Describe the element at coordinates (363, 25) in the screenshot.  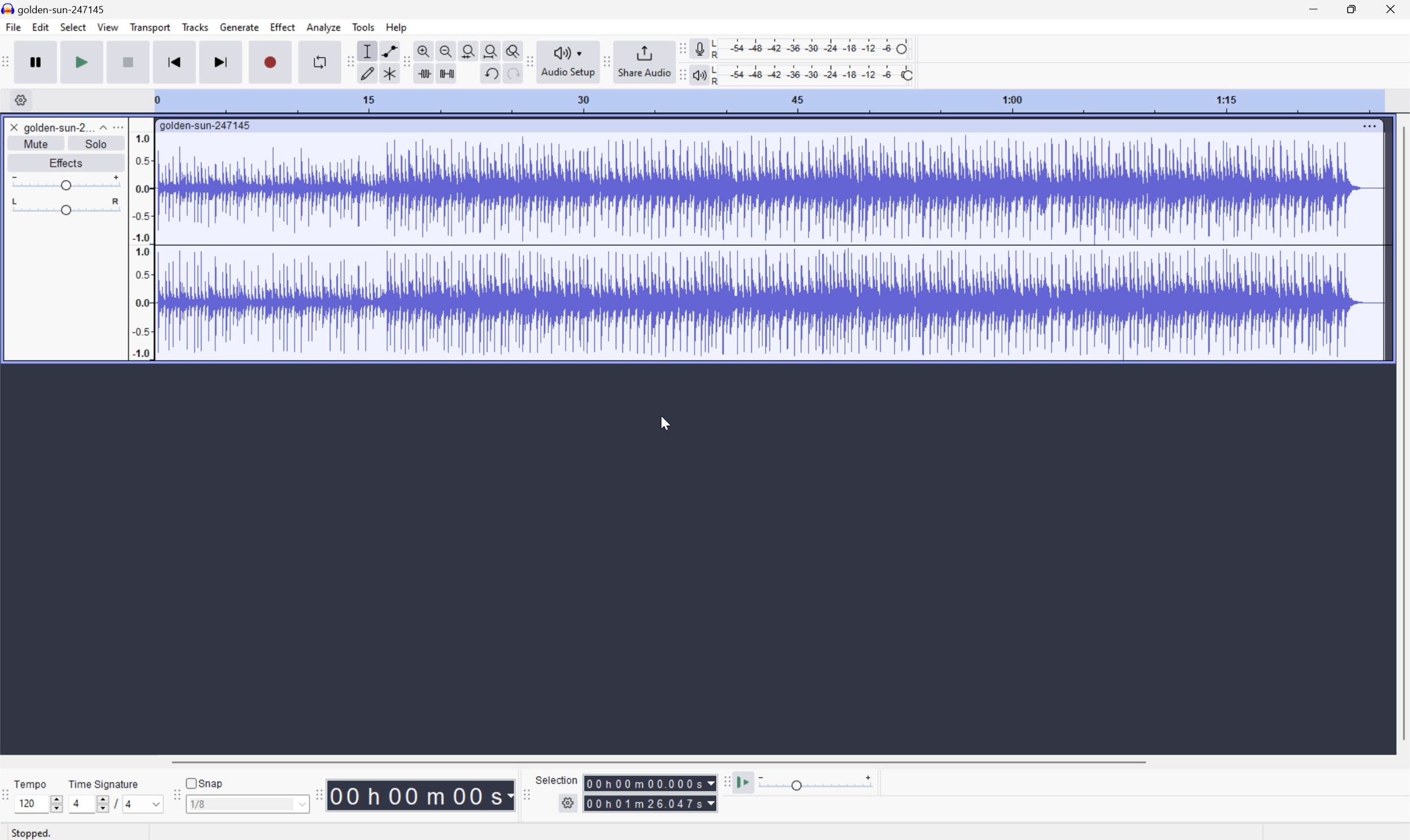
I see `Tools` at that location.